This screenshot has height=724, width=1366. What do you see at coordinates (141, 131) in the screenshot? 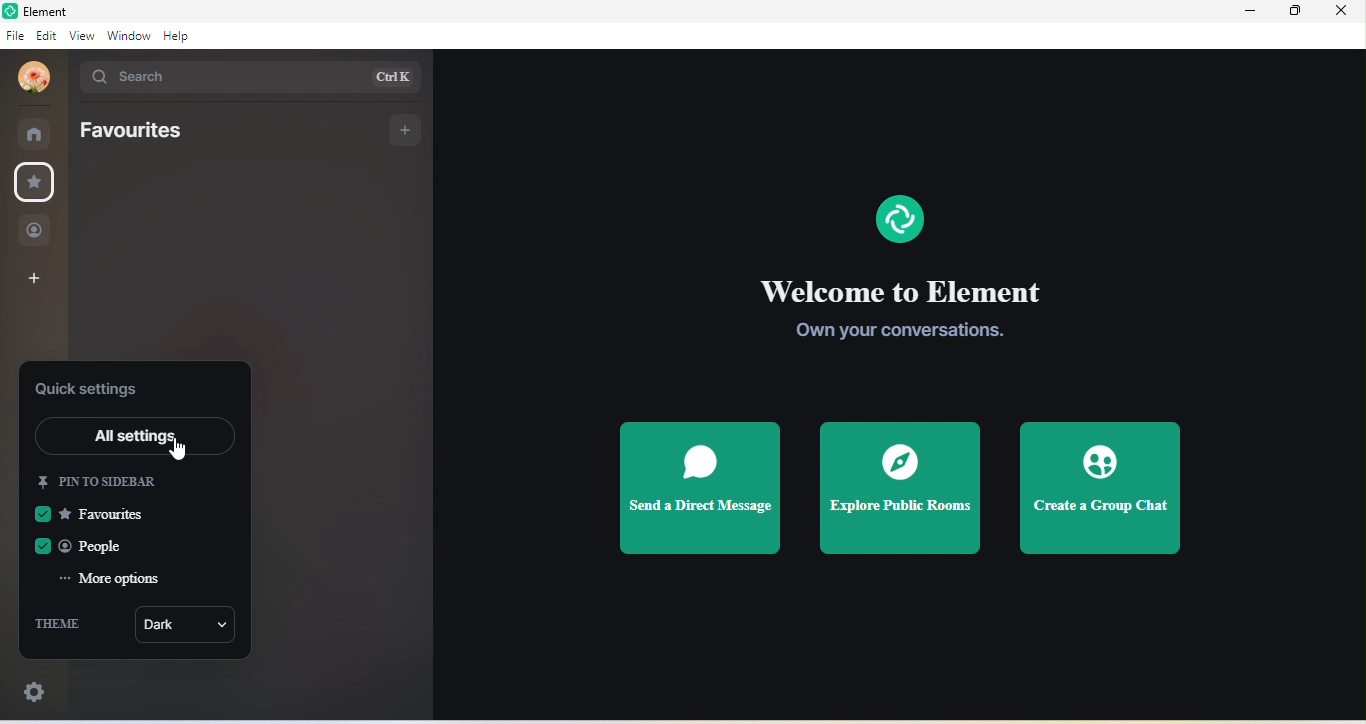
I see `favourites` at bounding box center [141, 131].